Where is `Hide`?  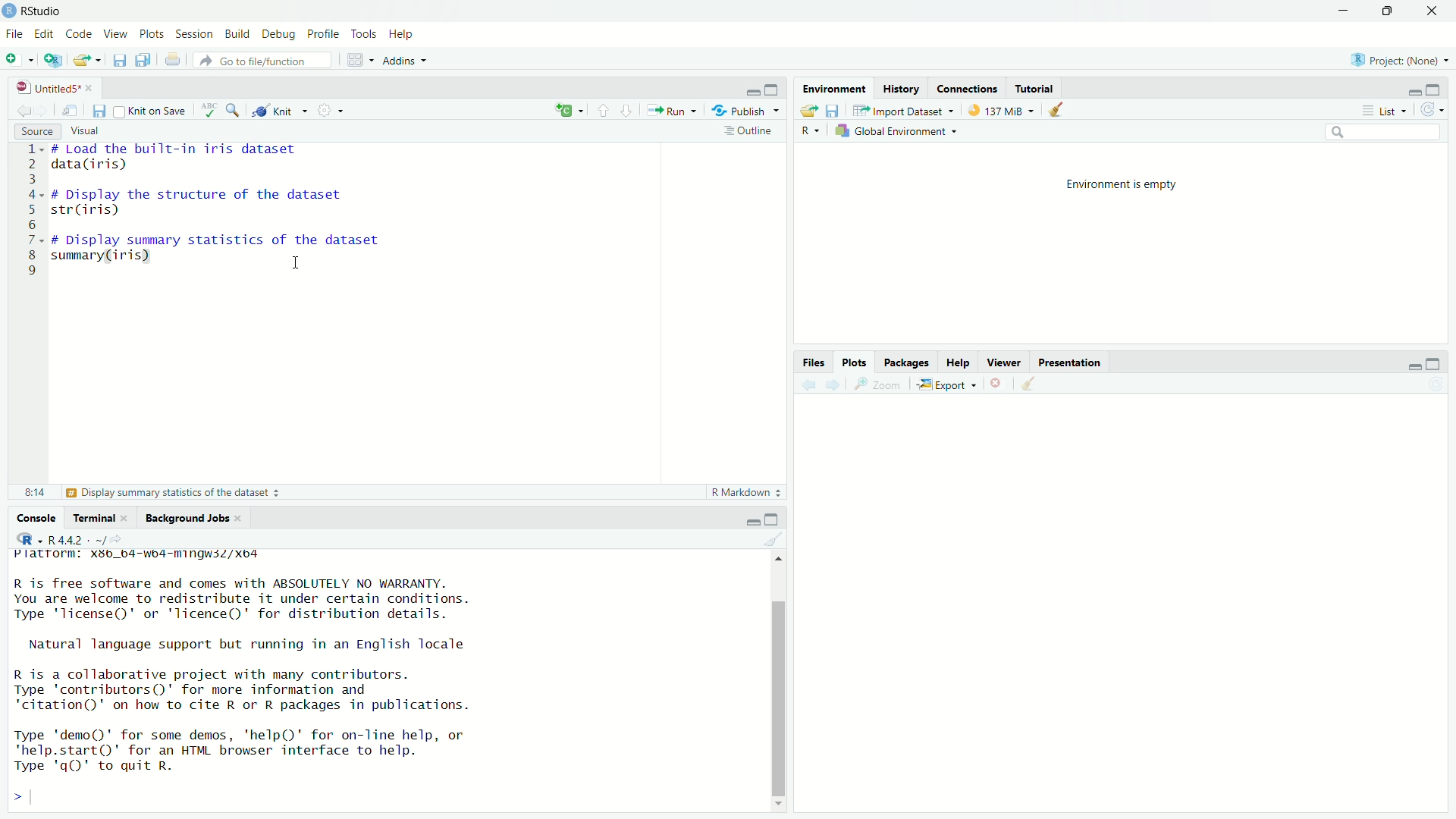 Hide is located at coordinates (1414, 363).